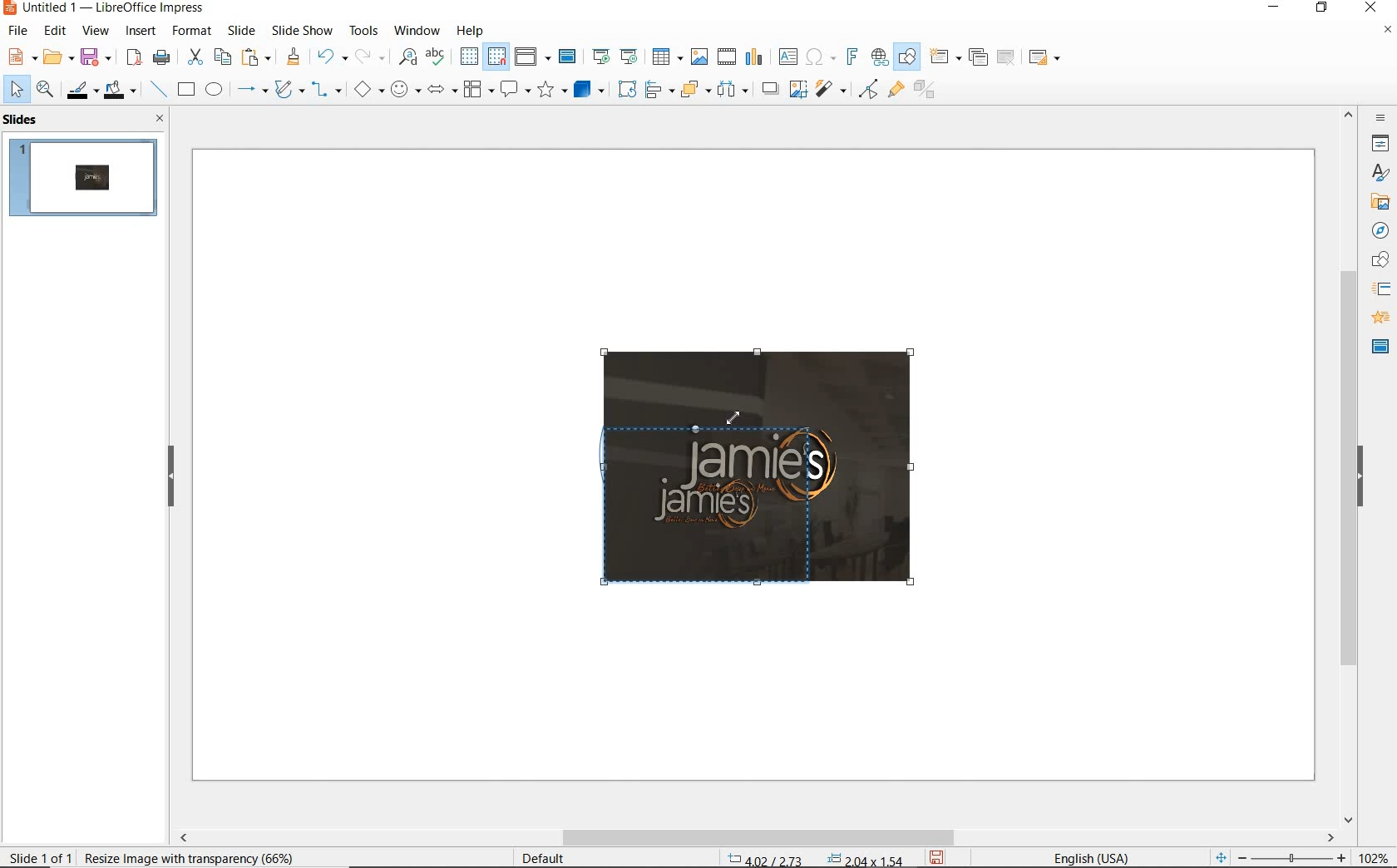 The width and height of the screenshot is (1397, 868). I want to click on basic shapes, so click(368, 91).